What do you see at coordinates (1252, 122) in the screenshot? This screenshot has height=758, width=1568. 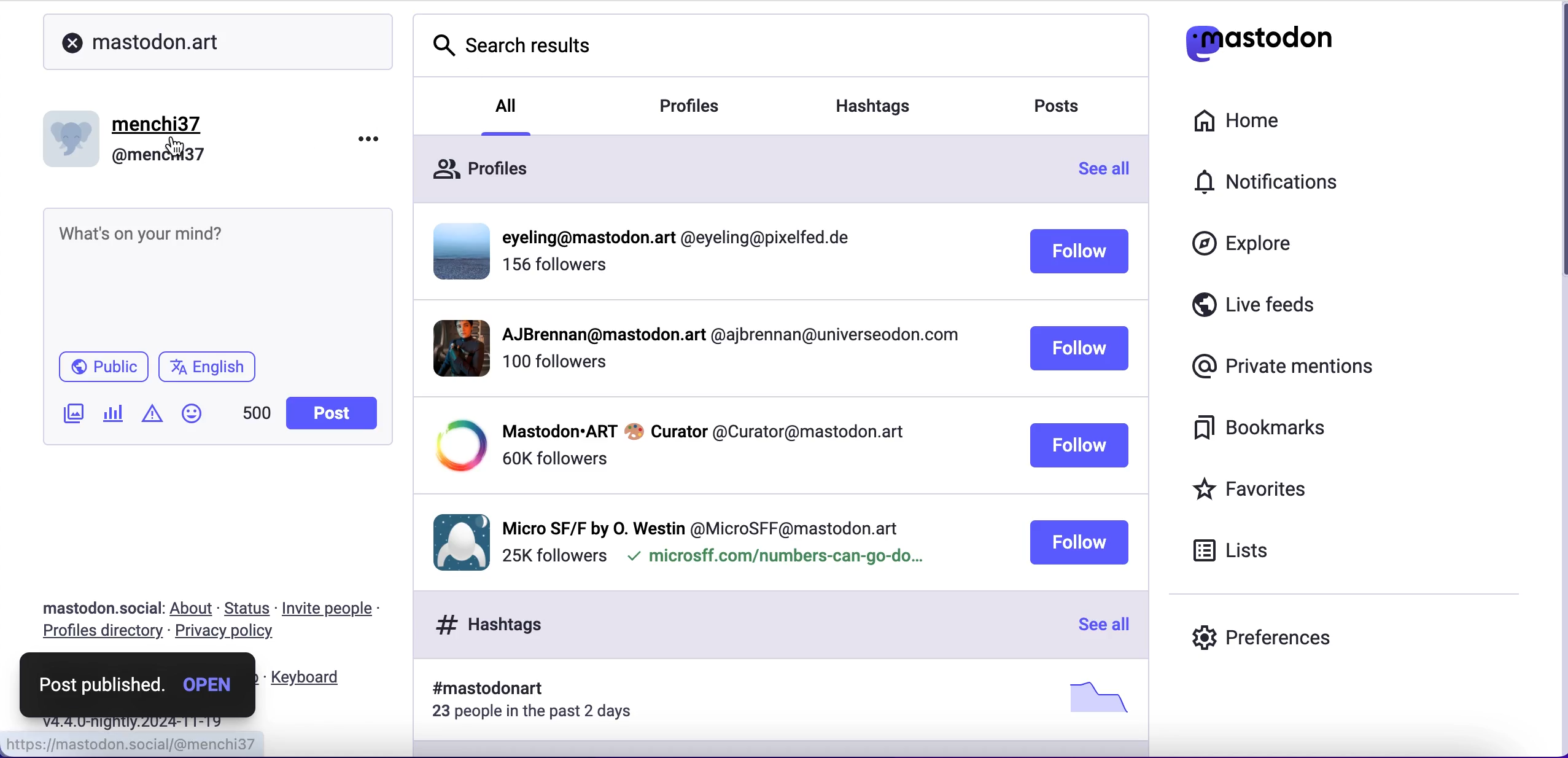 I see `home` at bounding box center [1252, 122].